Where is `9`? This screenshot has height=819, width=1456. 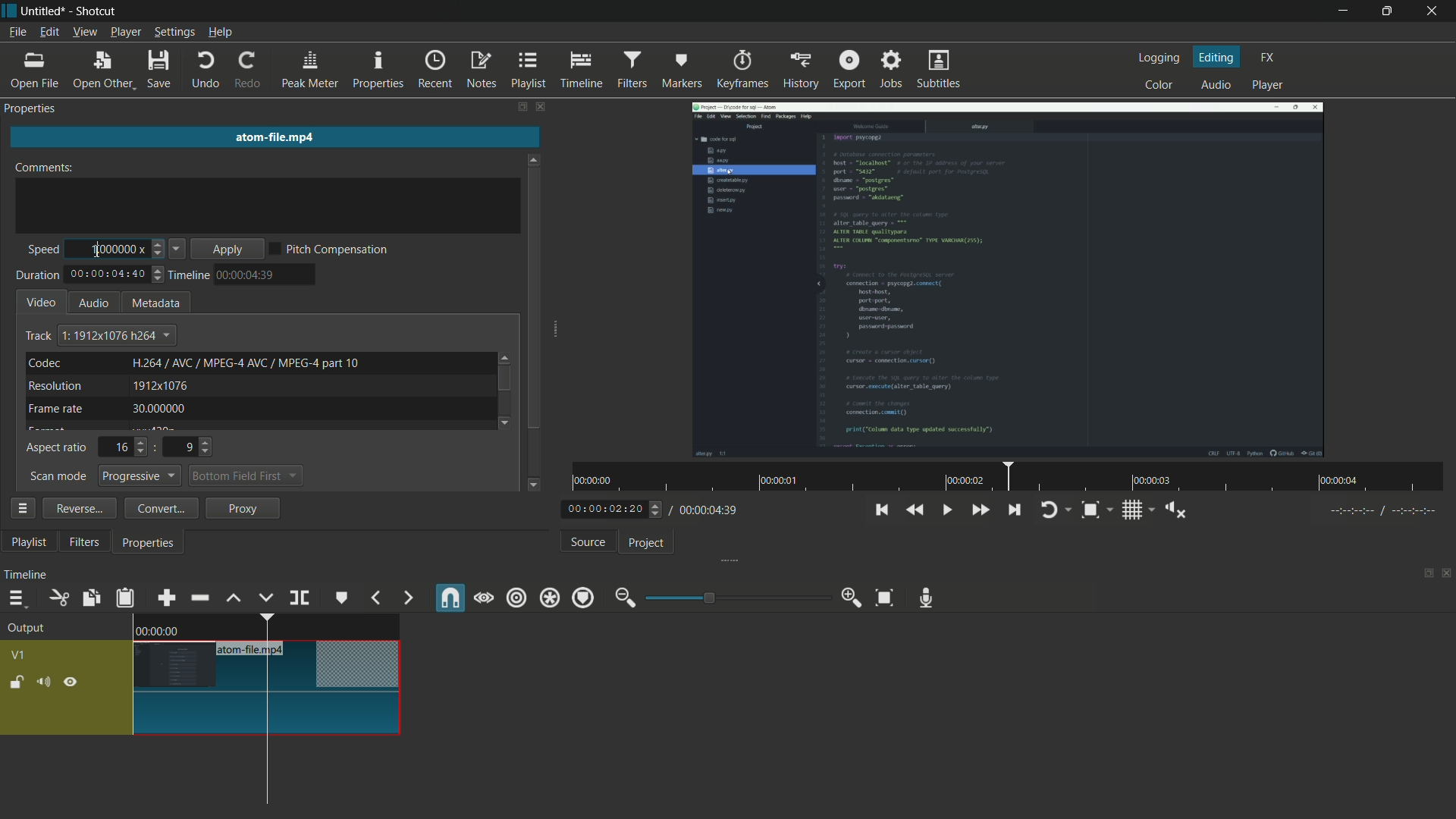
9 is located at coordinates (187, 447).